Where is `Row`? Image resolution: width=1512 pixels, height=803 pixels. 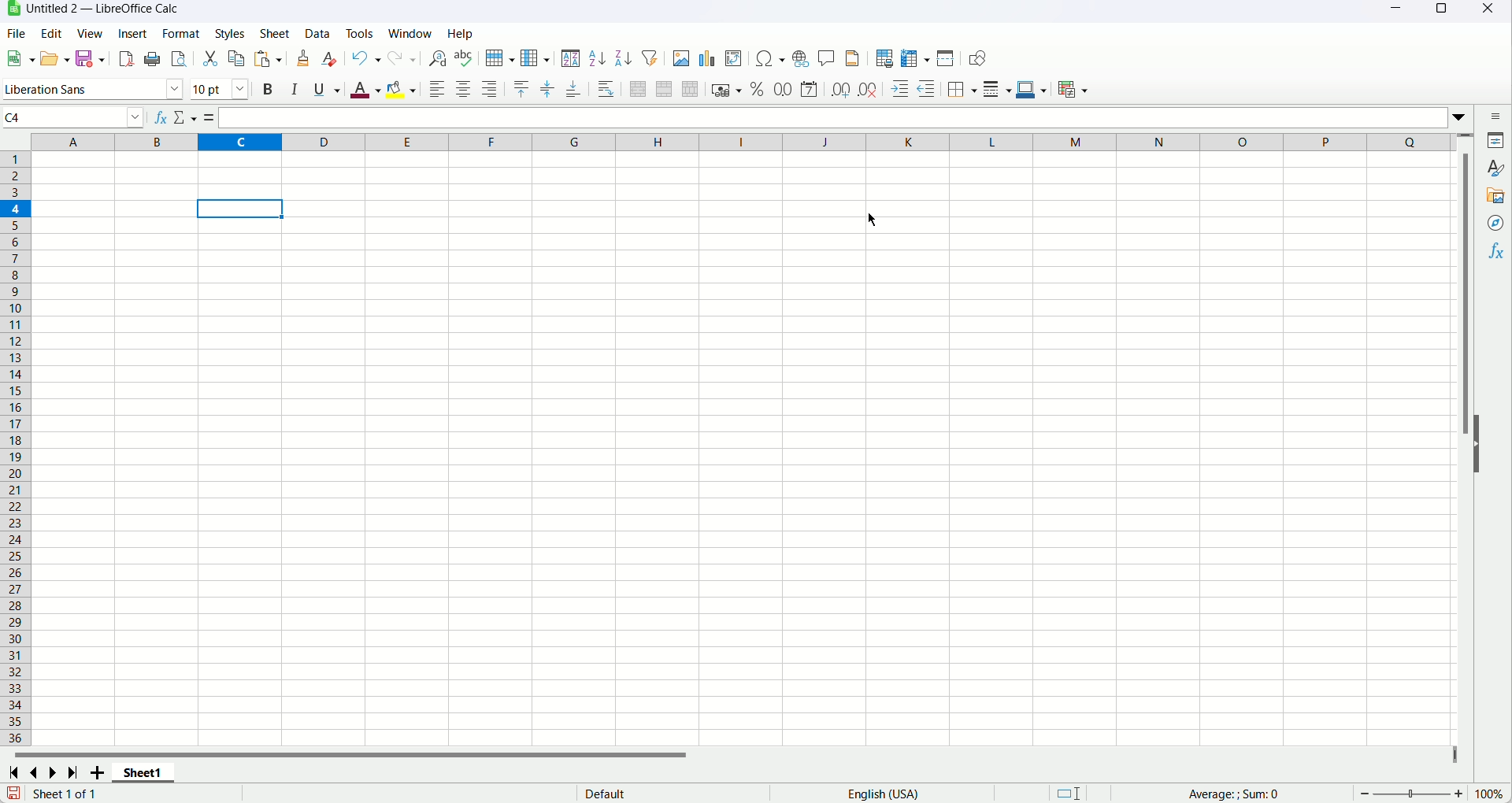 Row is located at coordinates (498, 58).